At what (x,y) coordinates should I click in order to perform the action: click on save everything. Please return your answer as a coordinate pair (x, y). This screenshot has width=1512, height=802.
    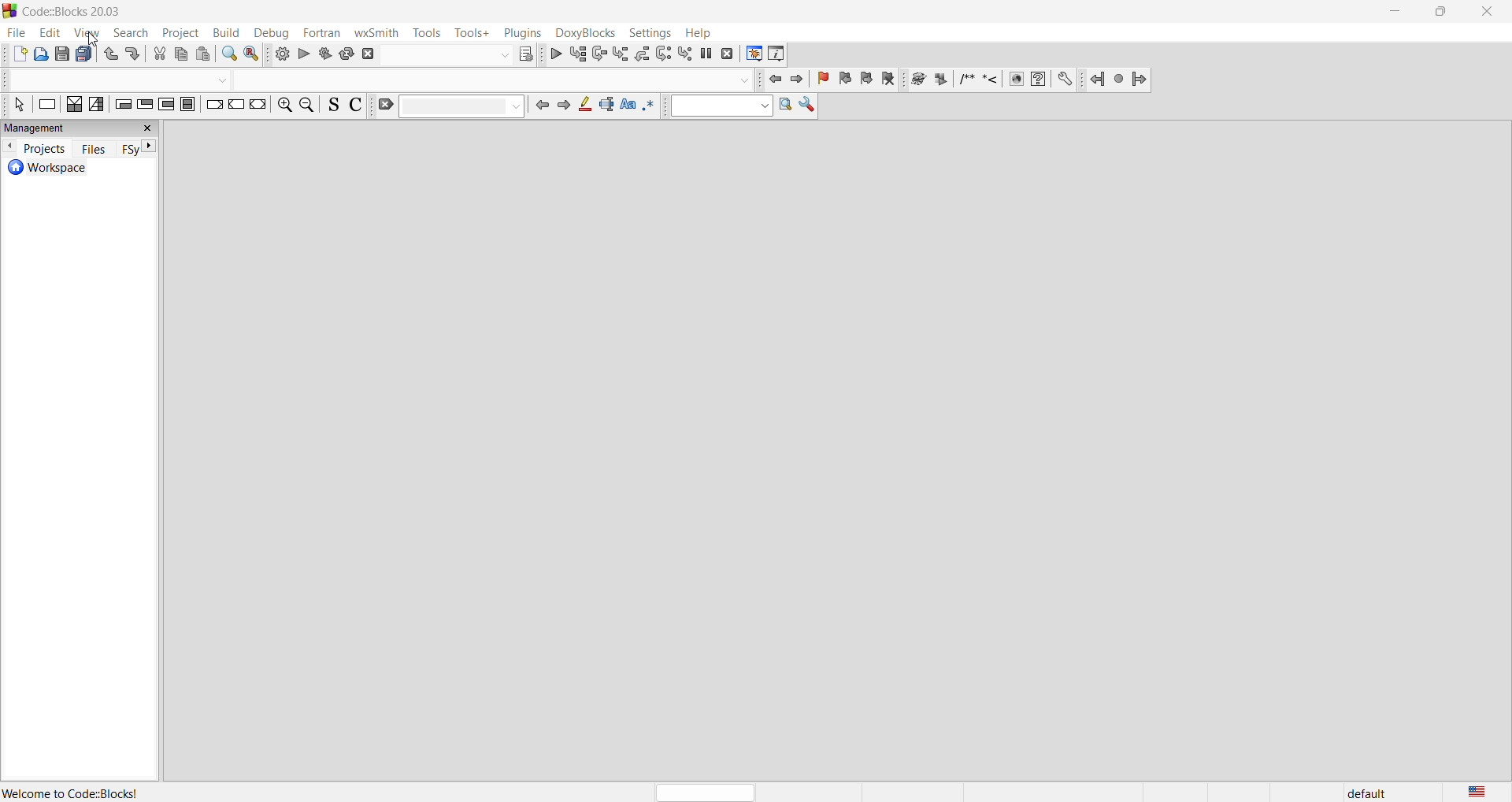
    Looking at the image, I should click on (87, 54).